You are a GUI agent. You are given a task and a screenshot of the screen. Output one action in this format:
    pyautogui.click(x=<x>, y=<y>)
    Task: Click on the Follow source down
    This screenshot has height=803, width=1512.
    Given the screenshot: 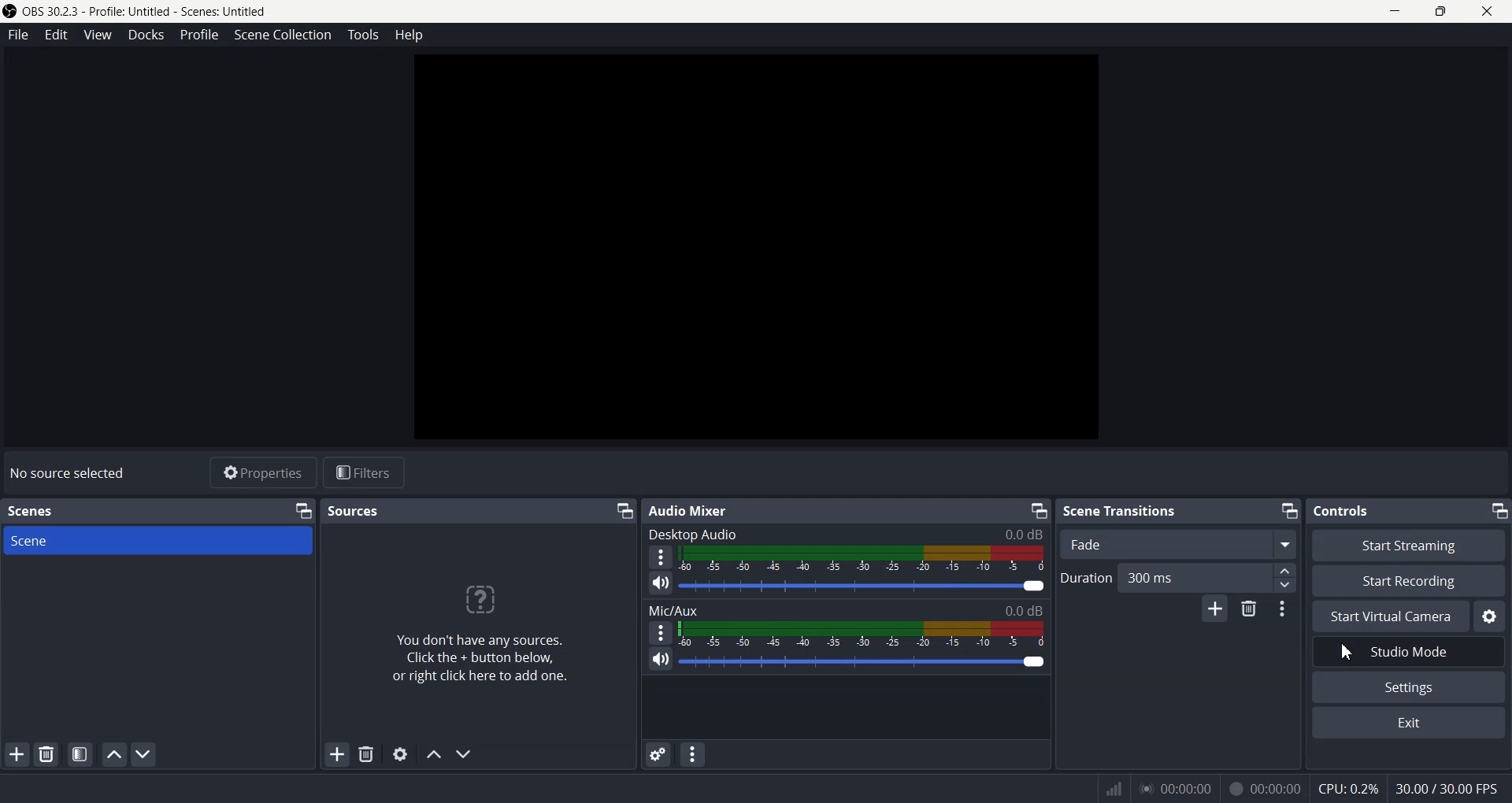 What is the action you would take?
    pyautogui.click(x=469, y=753)
    